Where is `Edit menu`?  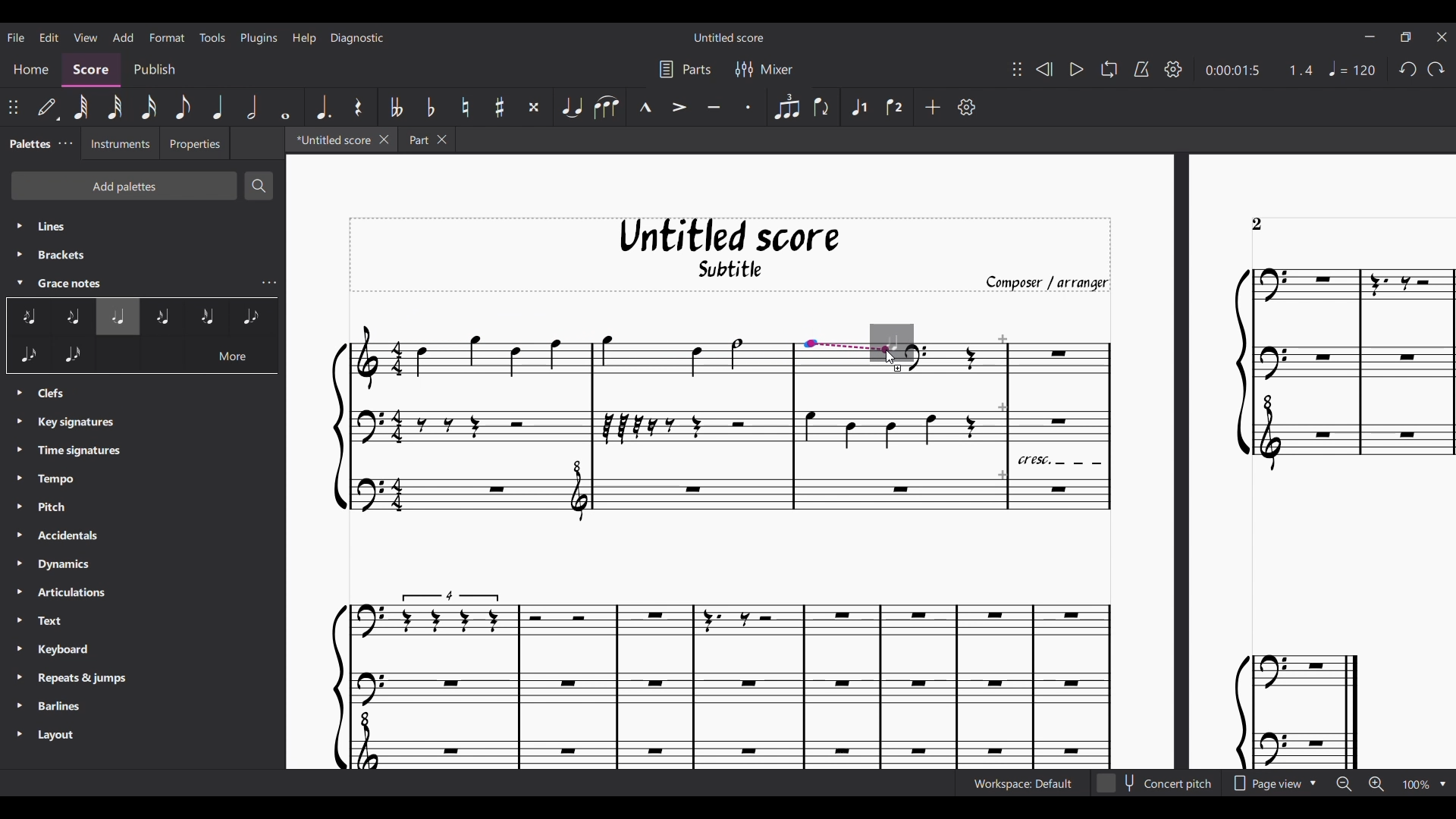 Edit menu is located at coordinates (49, 36).